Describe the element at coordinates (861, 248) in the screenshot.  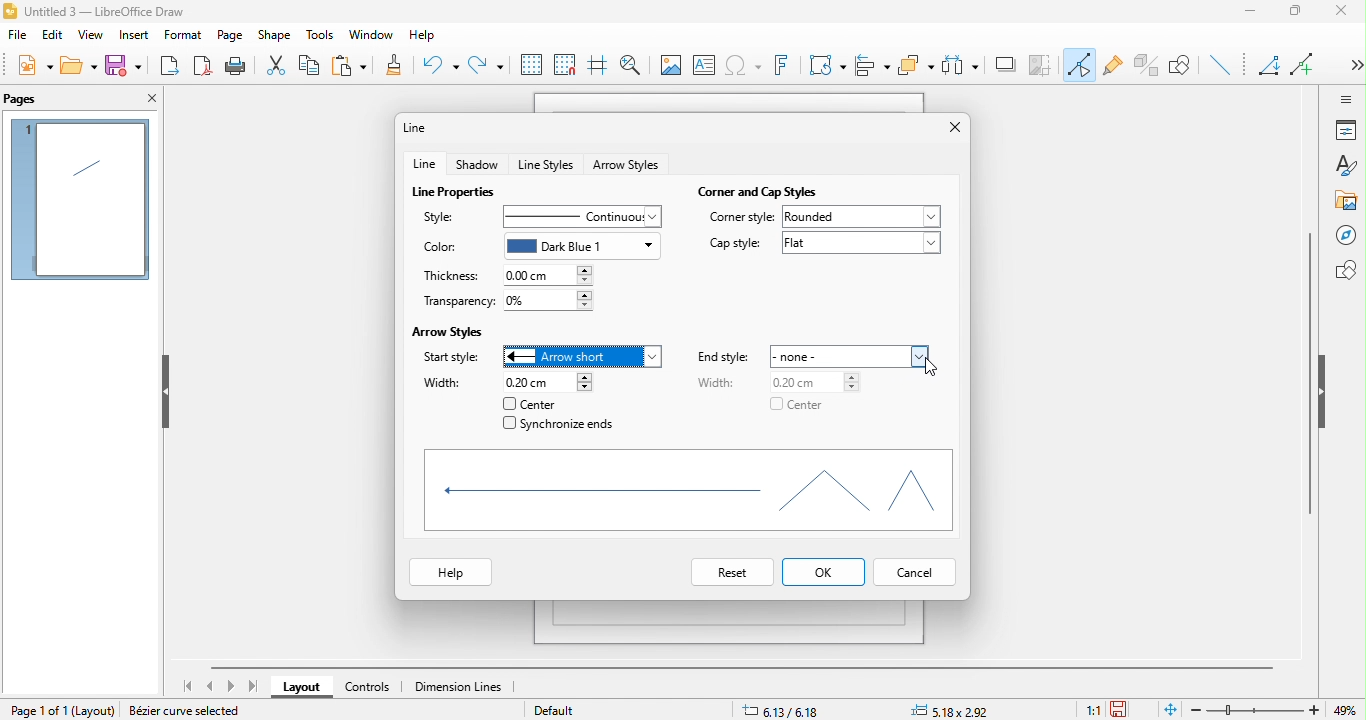
I see `flat` at that location.